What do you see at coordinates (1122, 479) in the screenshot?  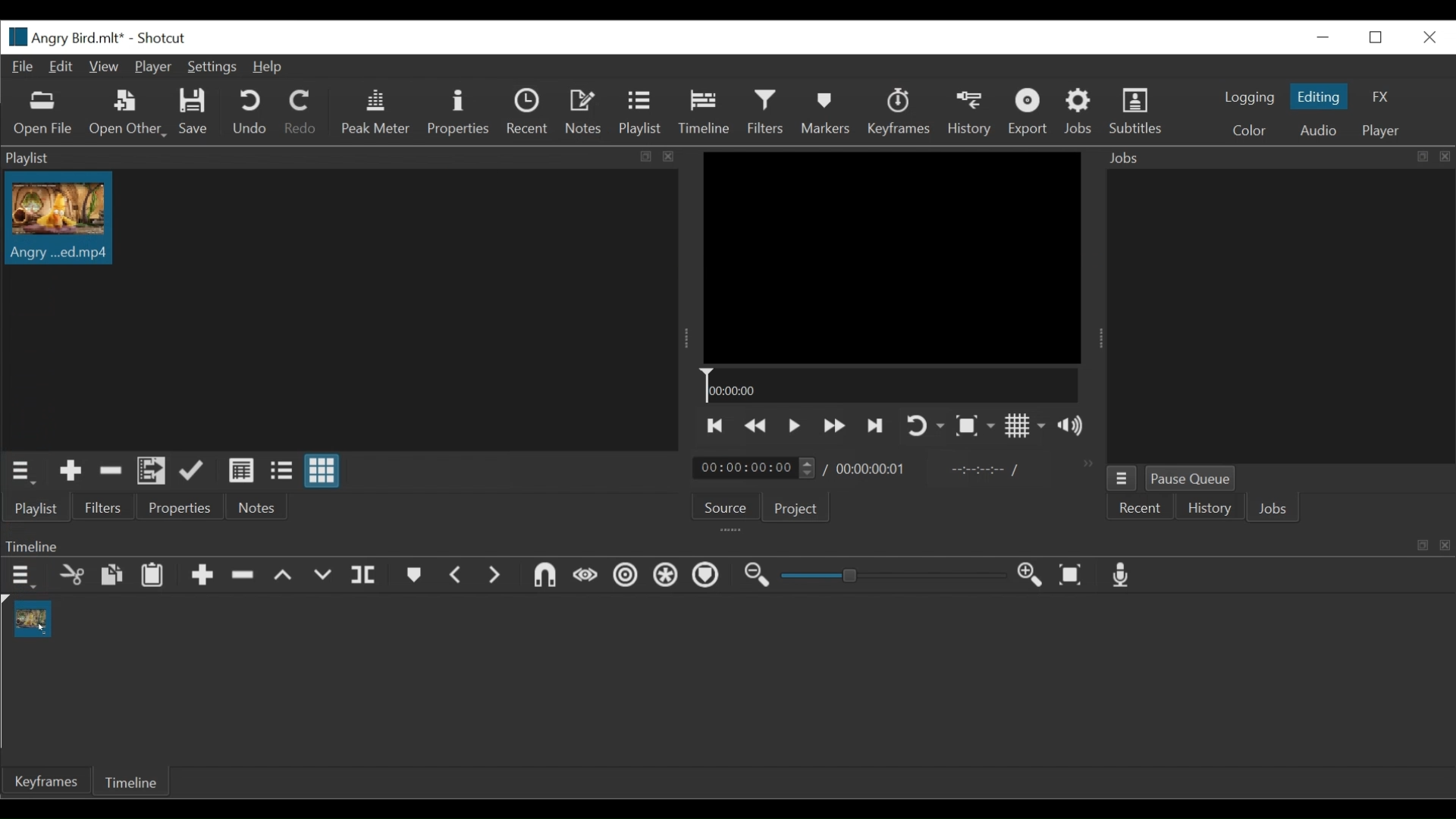 I see `Jobs menu` at bounding box center [1122, 479].